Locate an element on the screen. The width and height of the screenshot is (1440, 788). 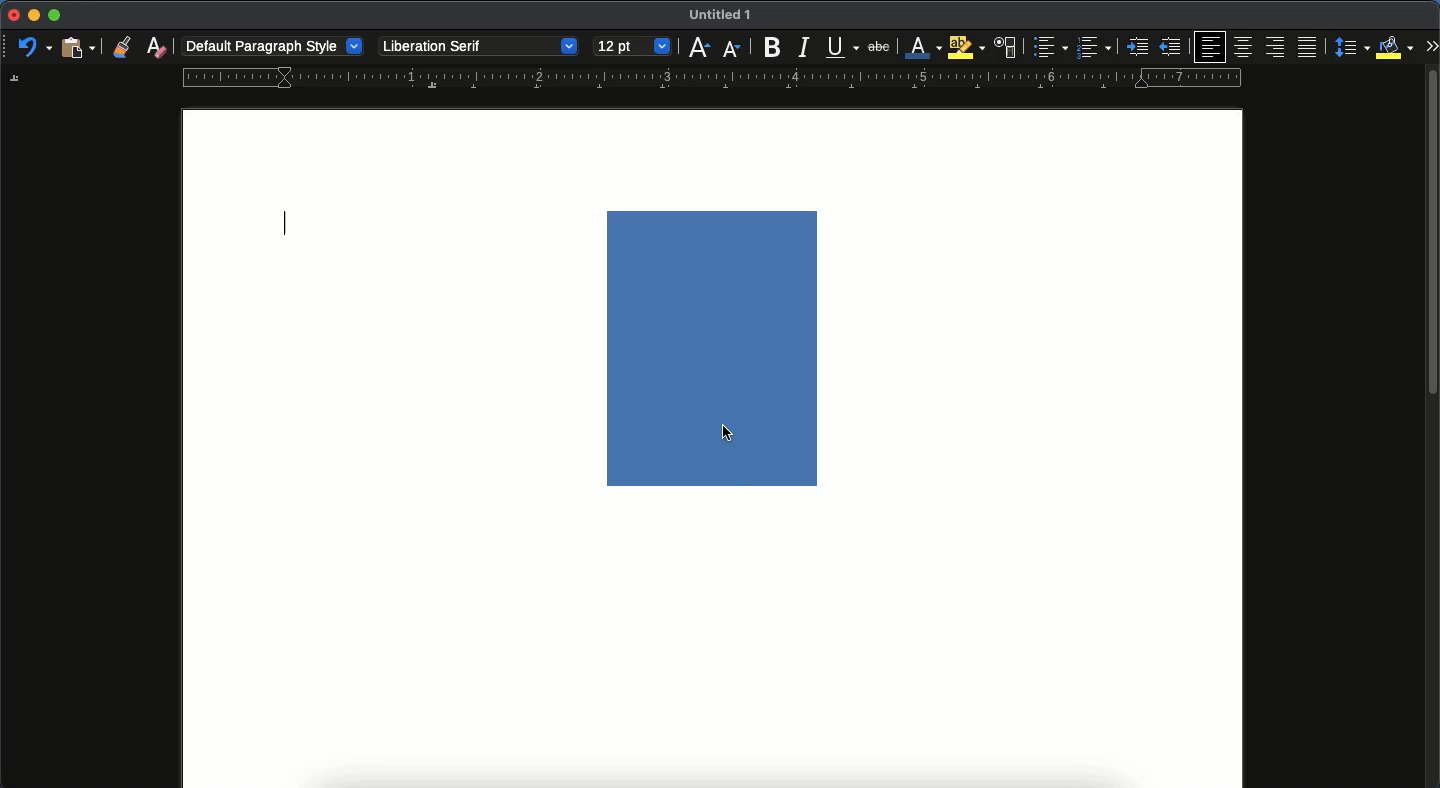
paragraph spacing is located at coordinates (1355, 46).